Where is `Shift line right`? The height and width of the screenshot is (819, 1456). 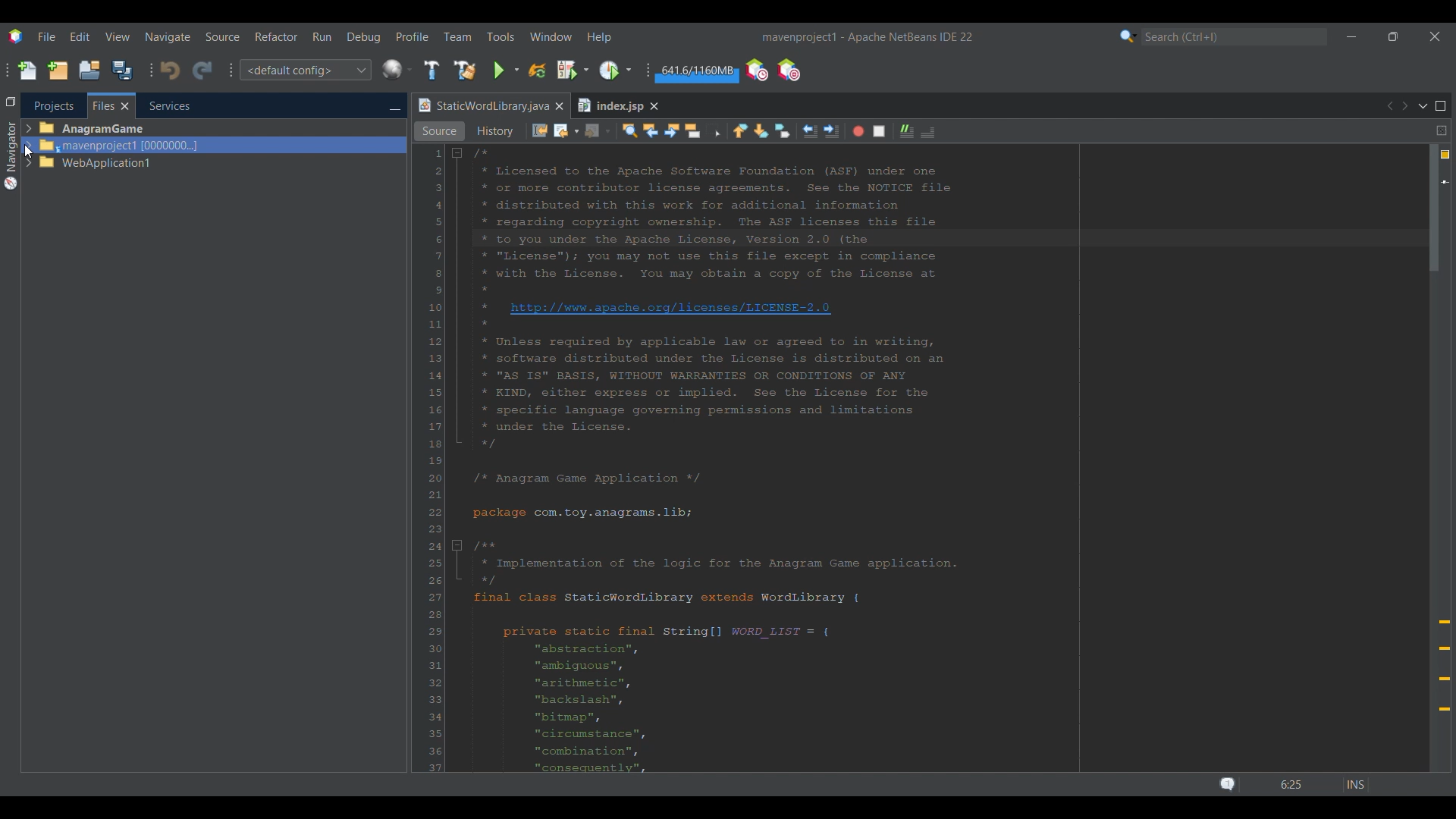
Shift line right is located at coordinates (831, 131).